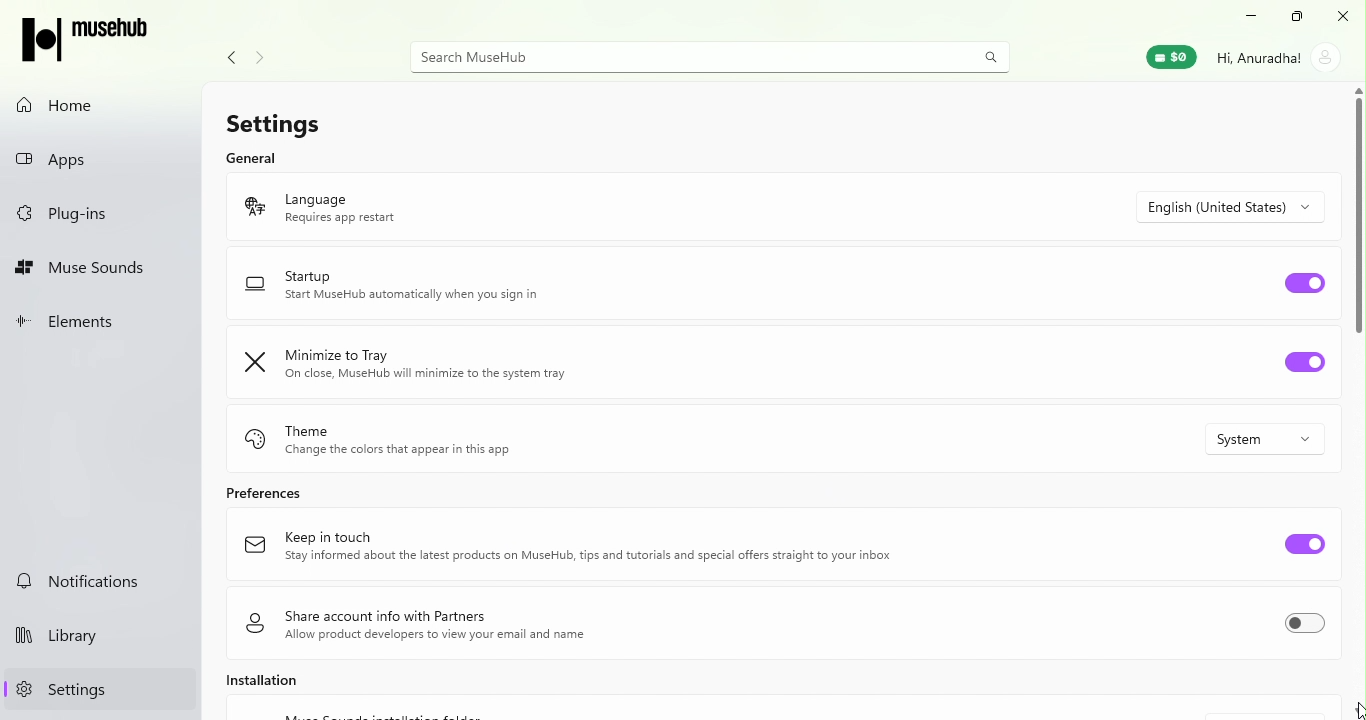 The width and height of the screenshot is (1366, 720). What do you see at coordinates (1301, 544) in the screenshot?
I see `Toggle` at bounding box center [1301, 544].